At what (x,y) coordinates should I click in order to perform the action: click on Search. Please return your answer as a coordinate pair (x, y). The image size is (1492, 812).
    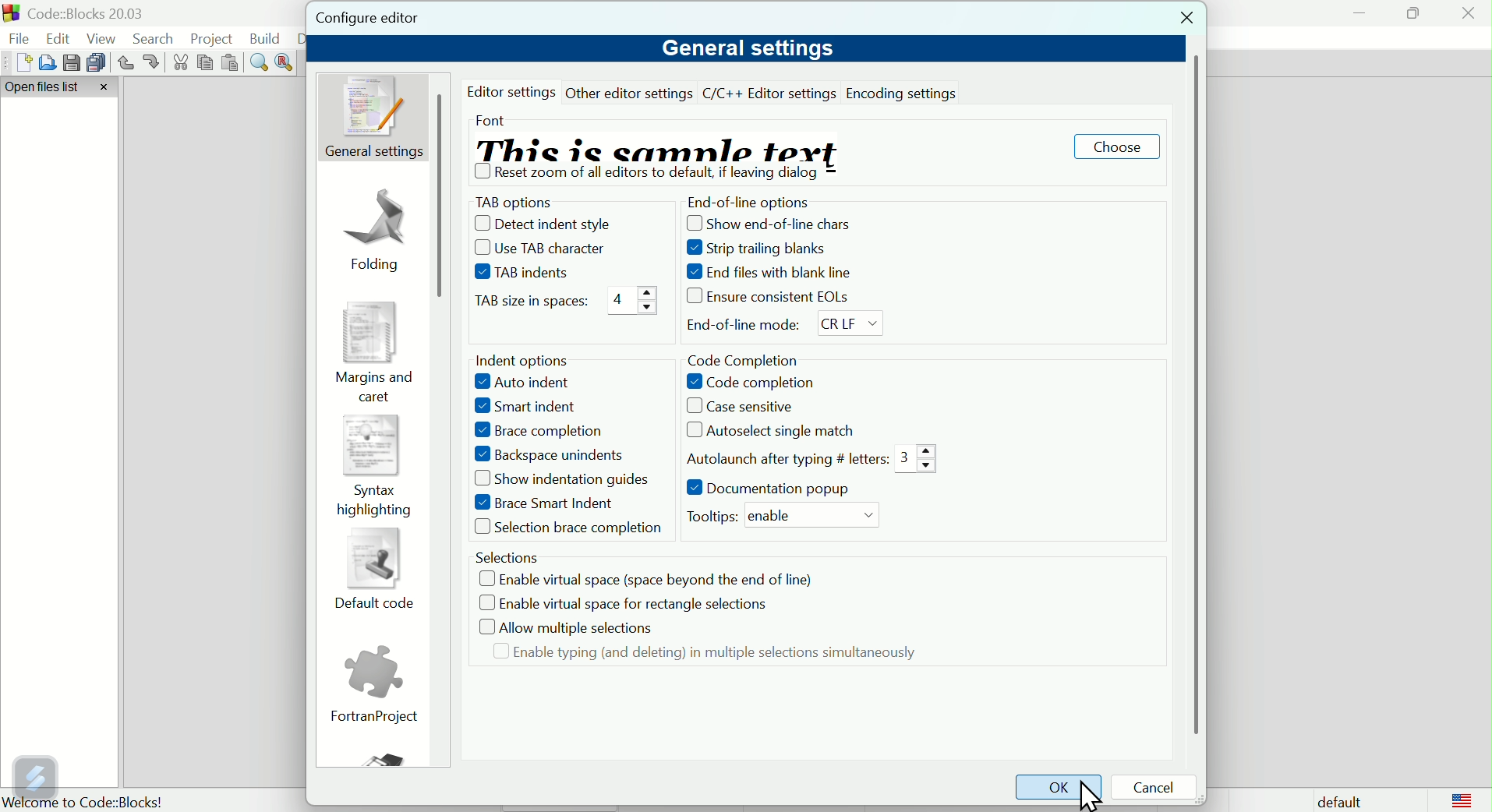
    Looking at the image, I should click on (157, 39).